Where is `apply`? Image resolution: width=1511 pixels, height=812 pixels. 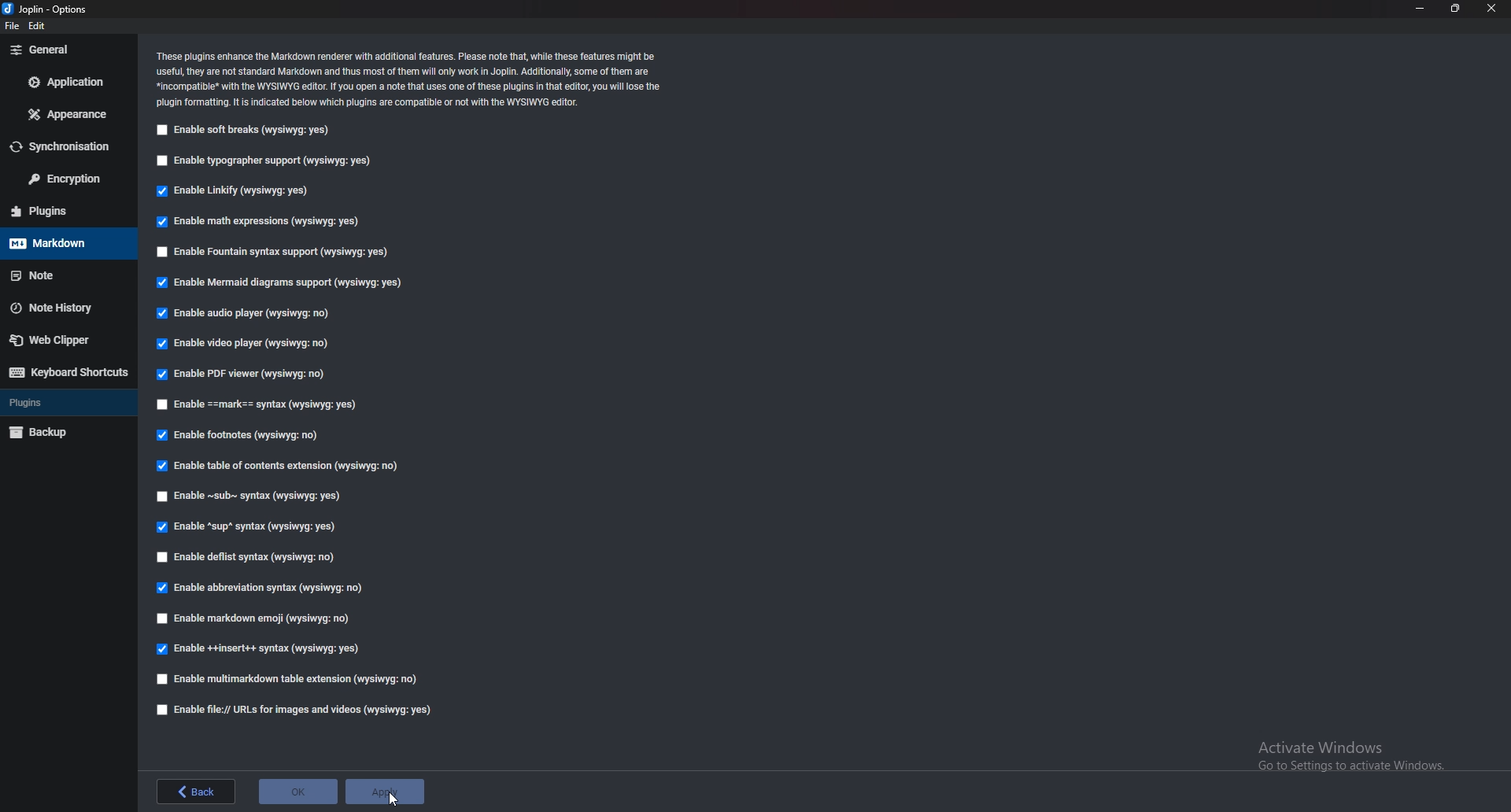
apply is located at coordinates (382, 792).